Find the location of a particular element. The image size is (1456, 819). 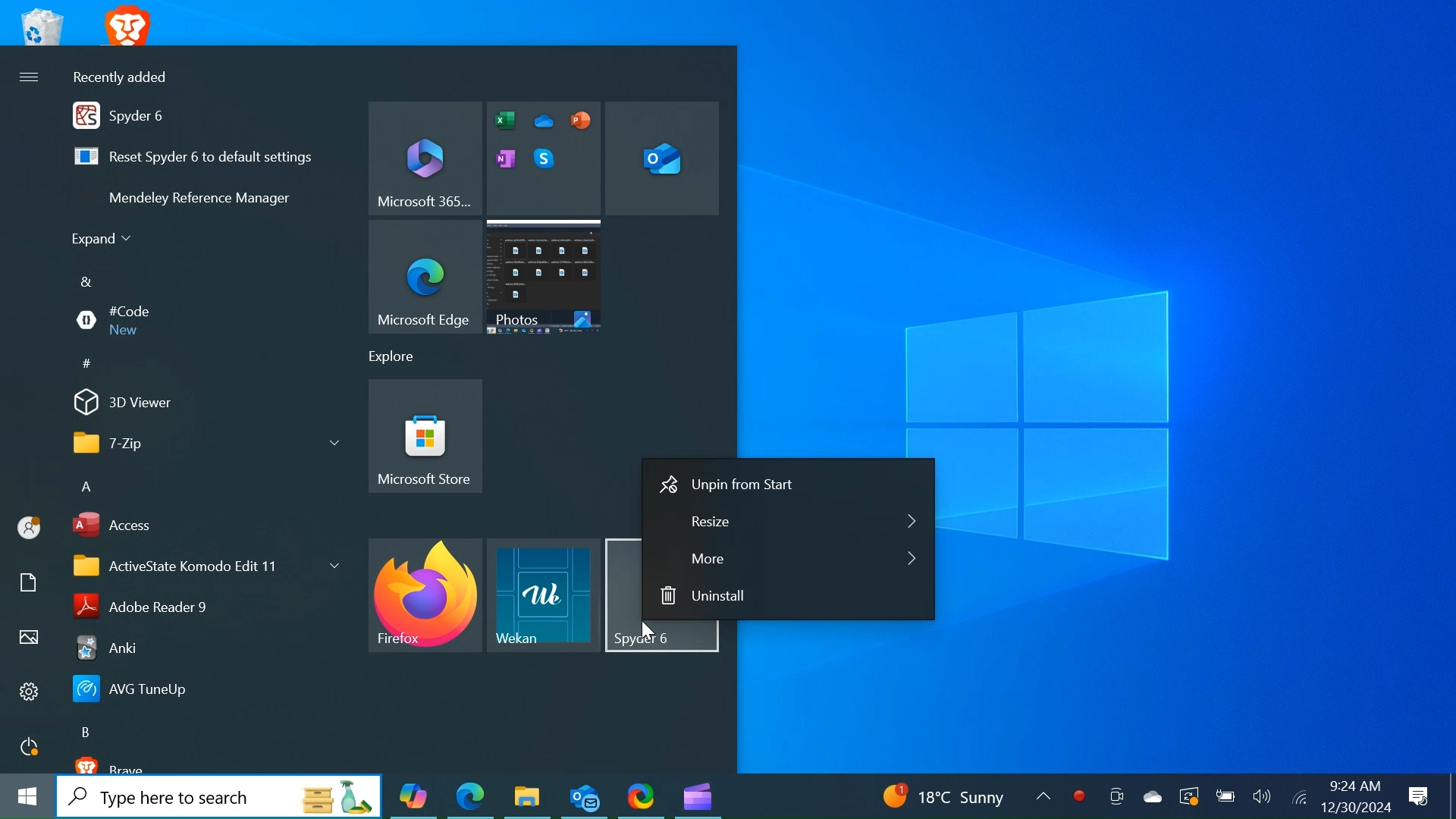

Uninstall is located at coordinates (789, 596).